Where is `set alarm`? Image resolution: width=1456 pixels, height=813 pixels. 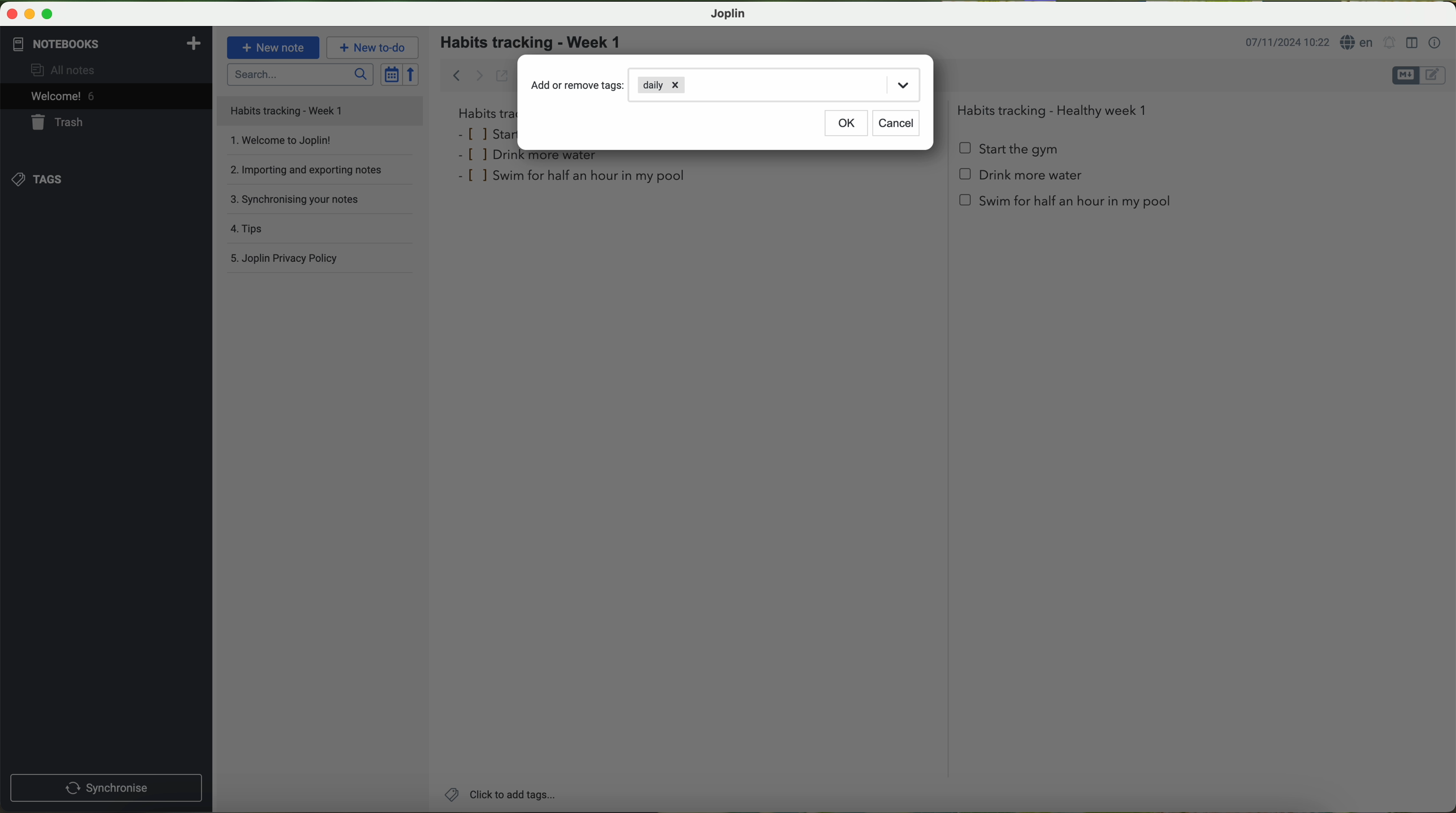 set alarm is located at coordinates (1390, 42).